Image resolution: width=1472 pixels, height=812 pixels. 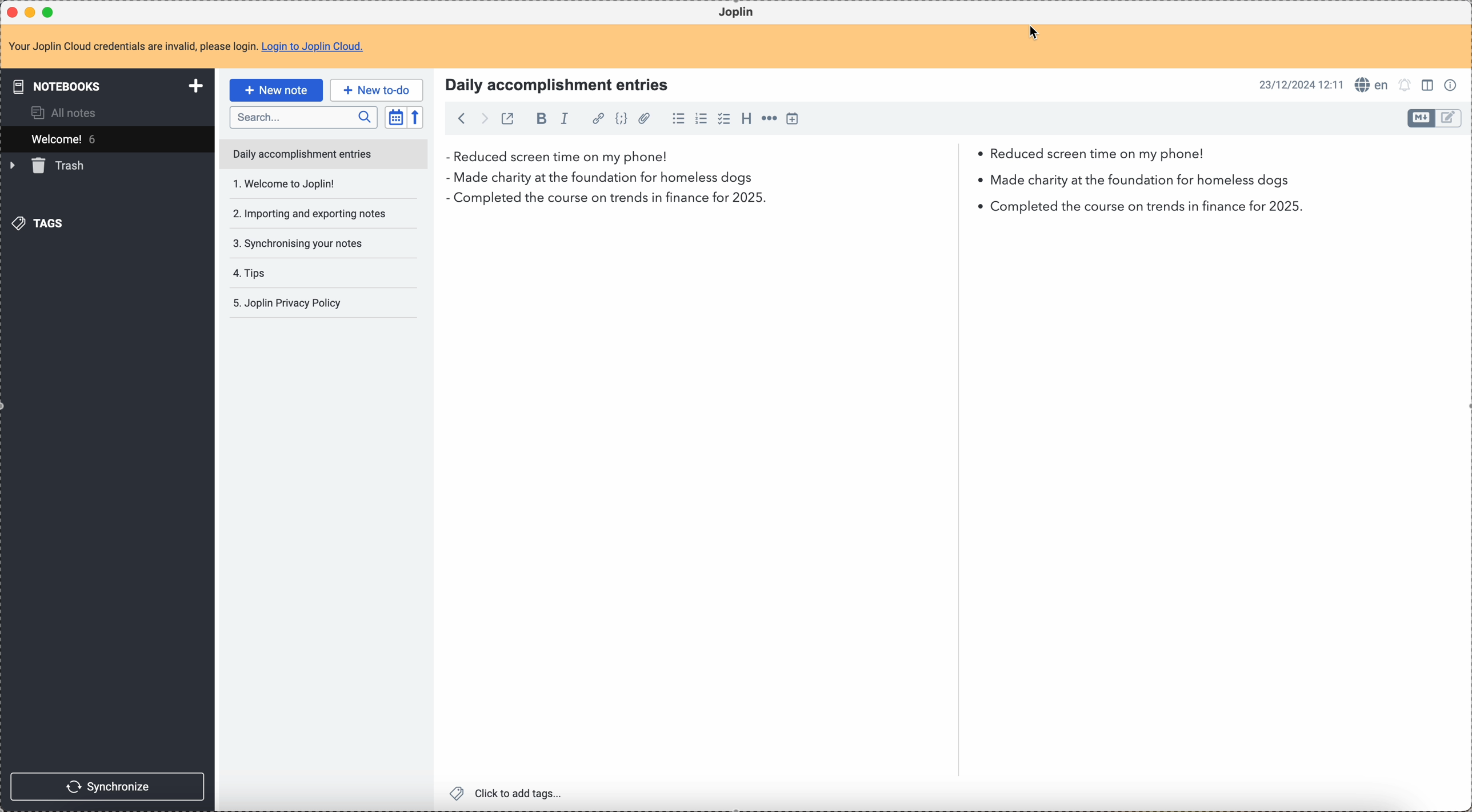 I want to click on maximize, so click(x=49, y=11).